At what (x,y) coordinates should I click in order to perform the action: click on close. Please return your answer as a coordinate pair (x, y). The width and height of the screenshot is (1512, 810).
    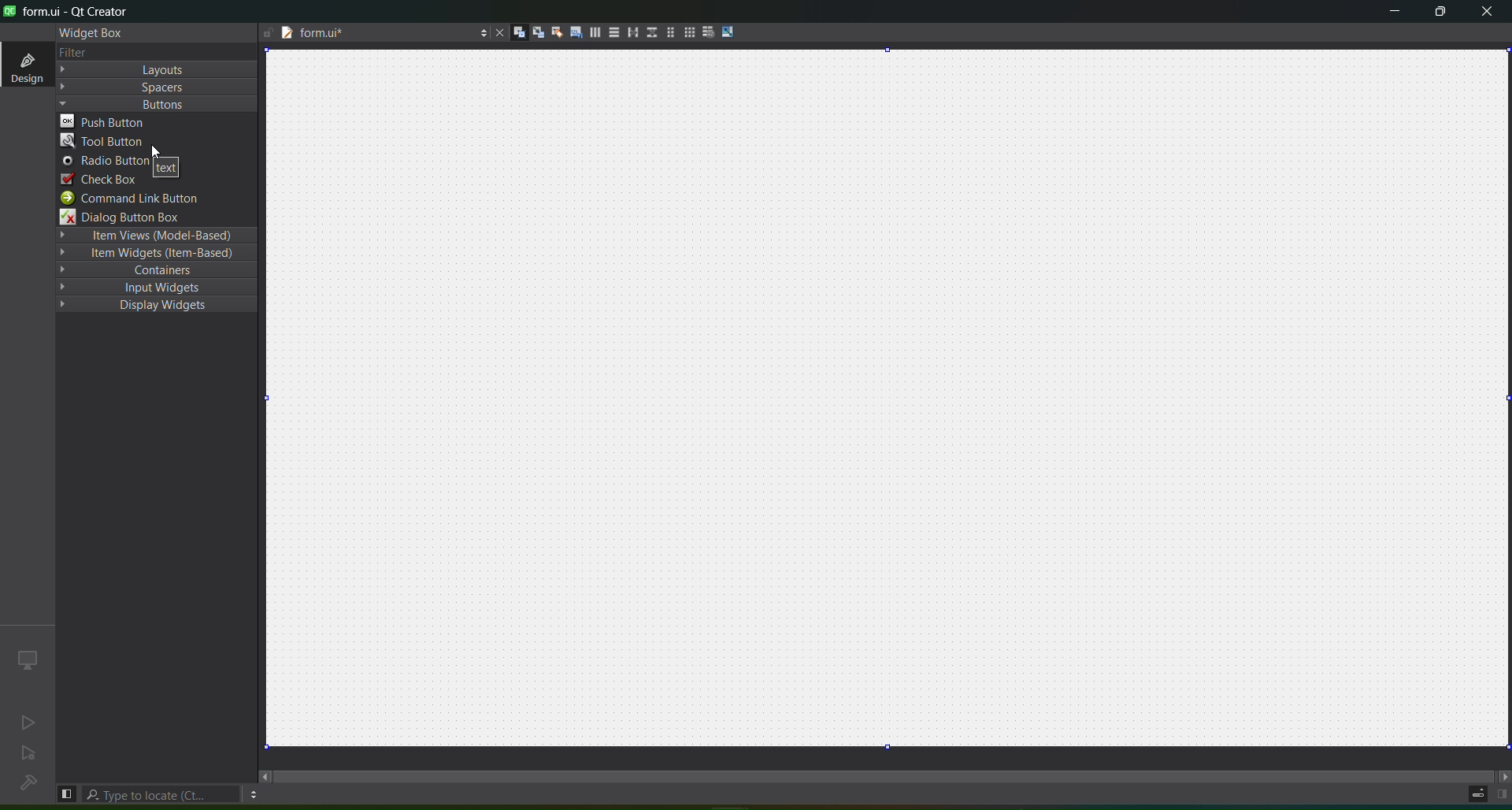
    Looking at the image, I should click on (1485, 14).